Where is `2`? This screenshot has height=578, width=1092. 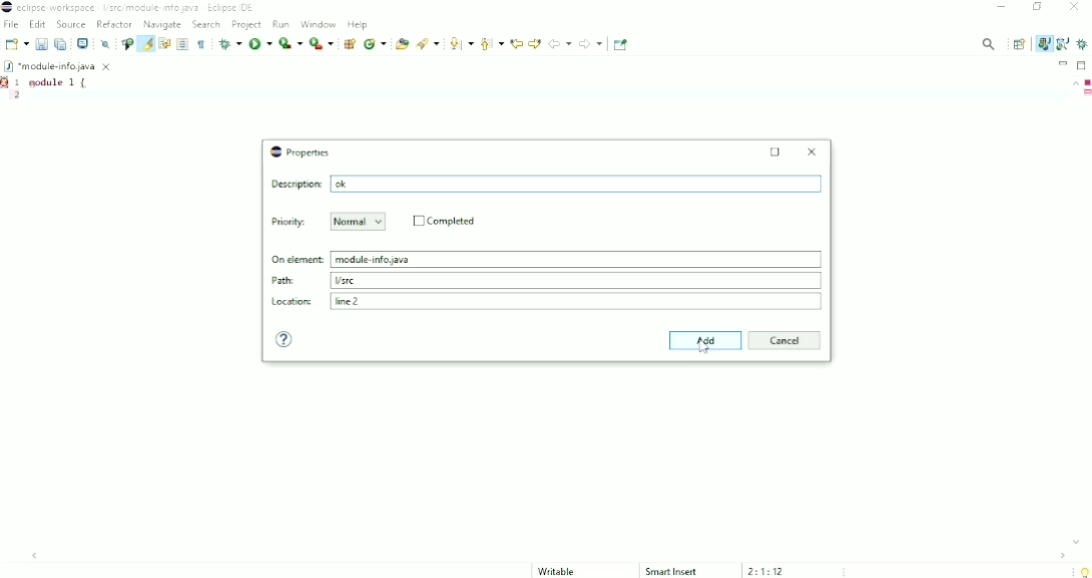 2 is located at coordinates (18, 97).